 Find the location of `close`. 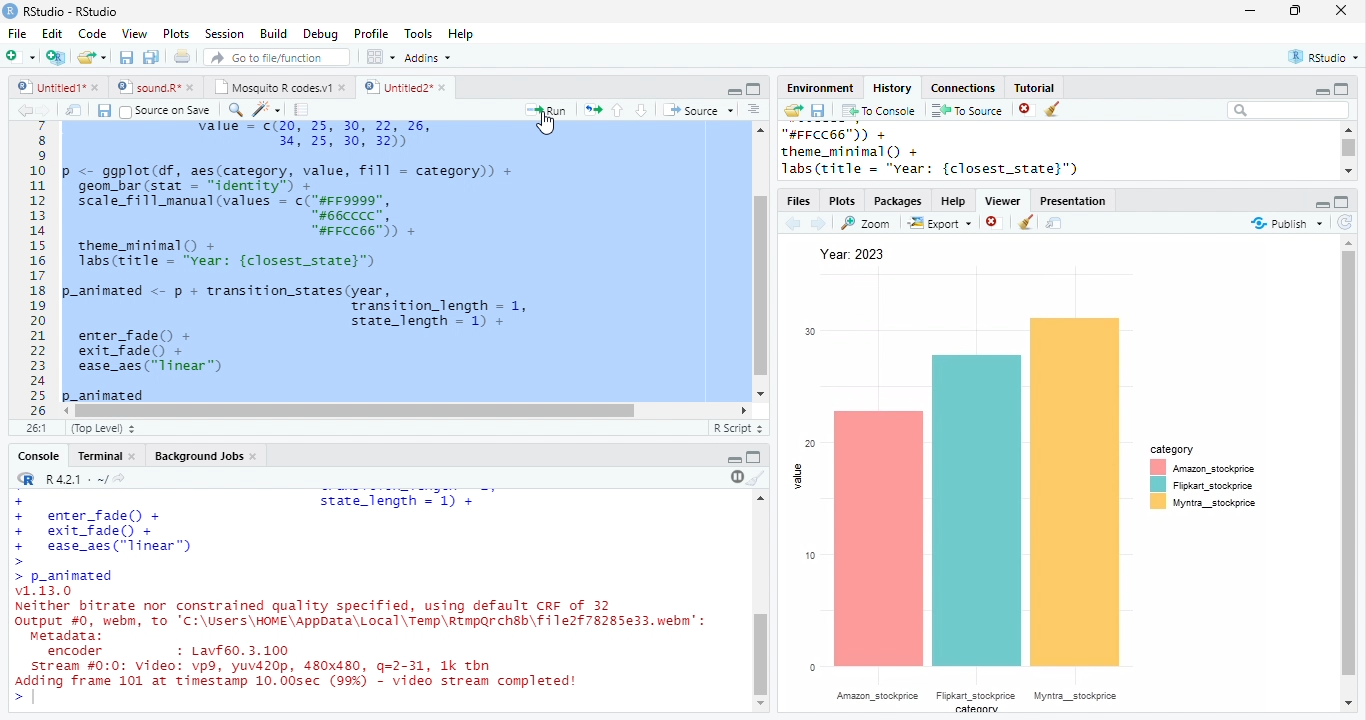

close is located at coordinates (134, 457).